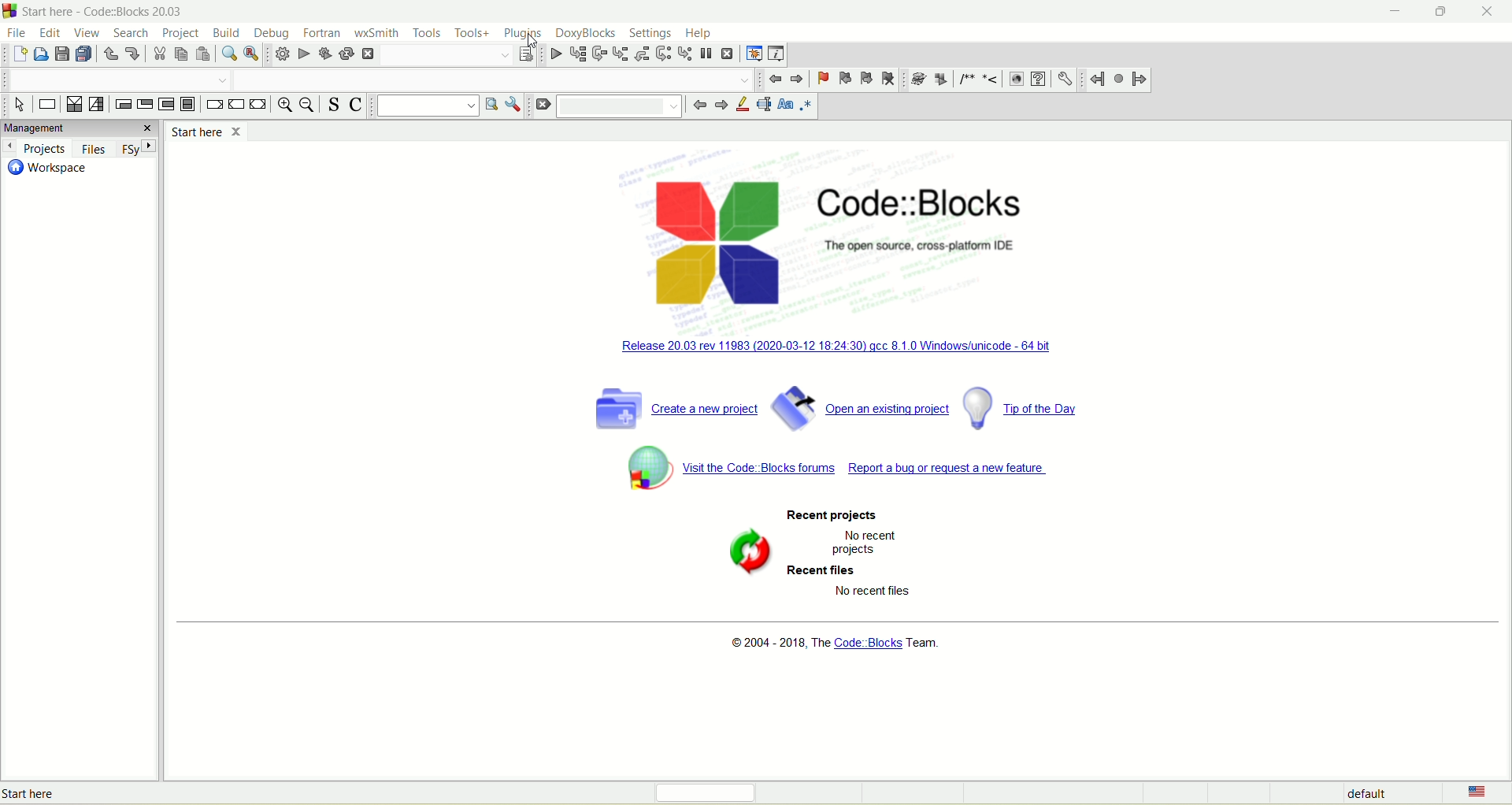 Image resolution: width=1512 pixels, height=805 pixels. What do you see at coordinates (258, 105) in the screenshot?
I see `return instruction` at bounding box center [258, 105].